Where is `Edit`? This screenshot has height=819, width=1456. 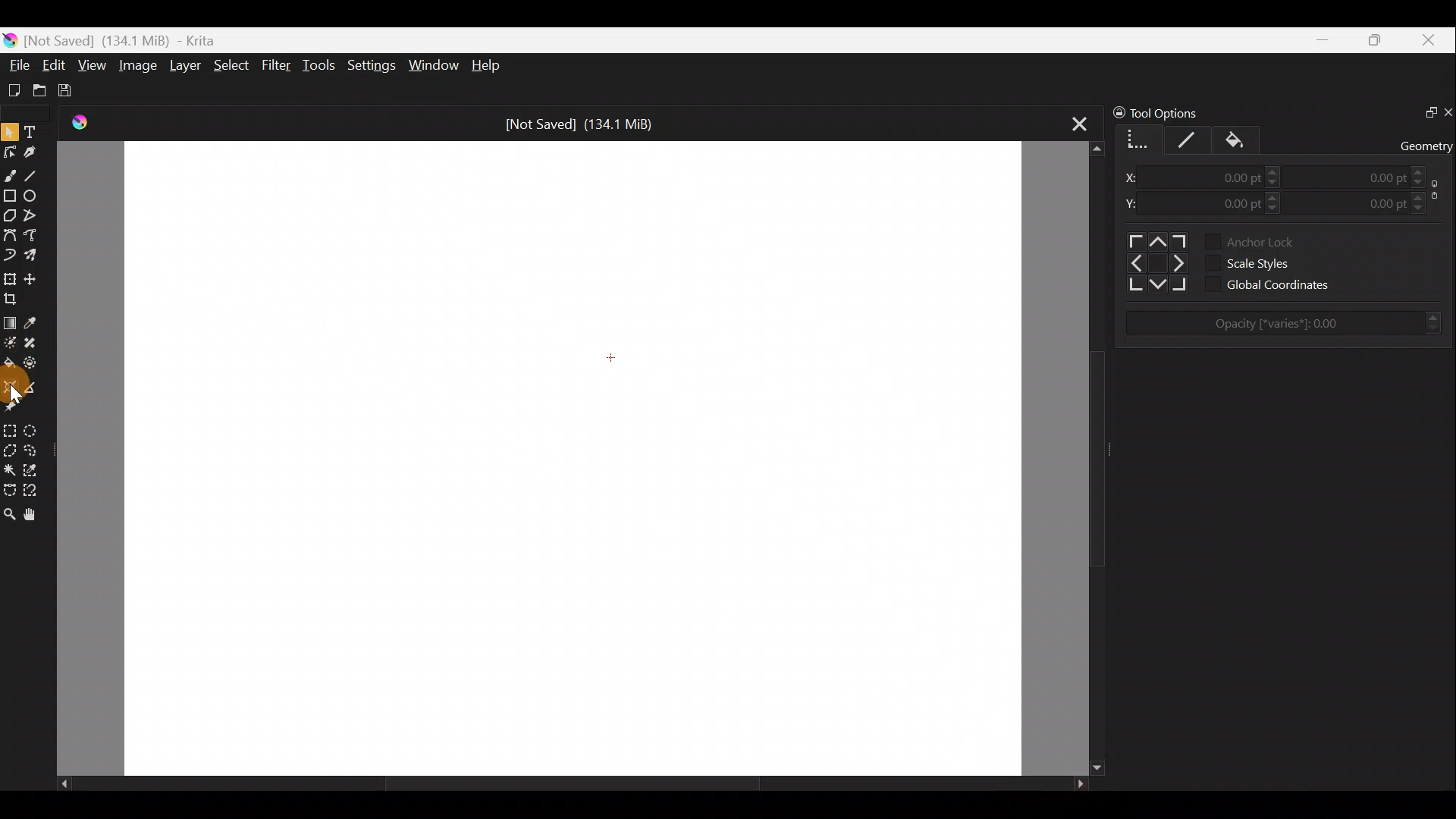
Edit is located at coordinates (55, 65).